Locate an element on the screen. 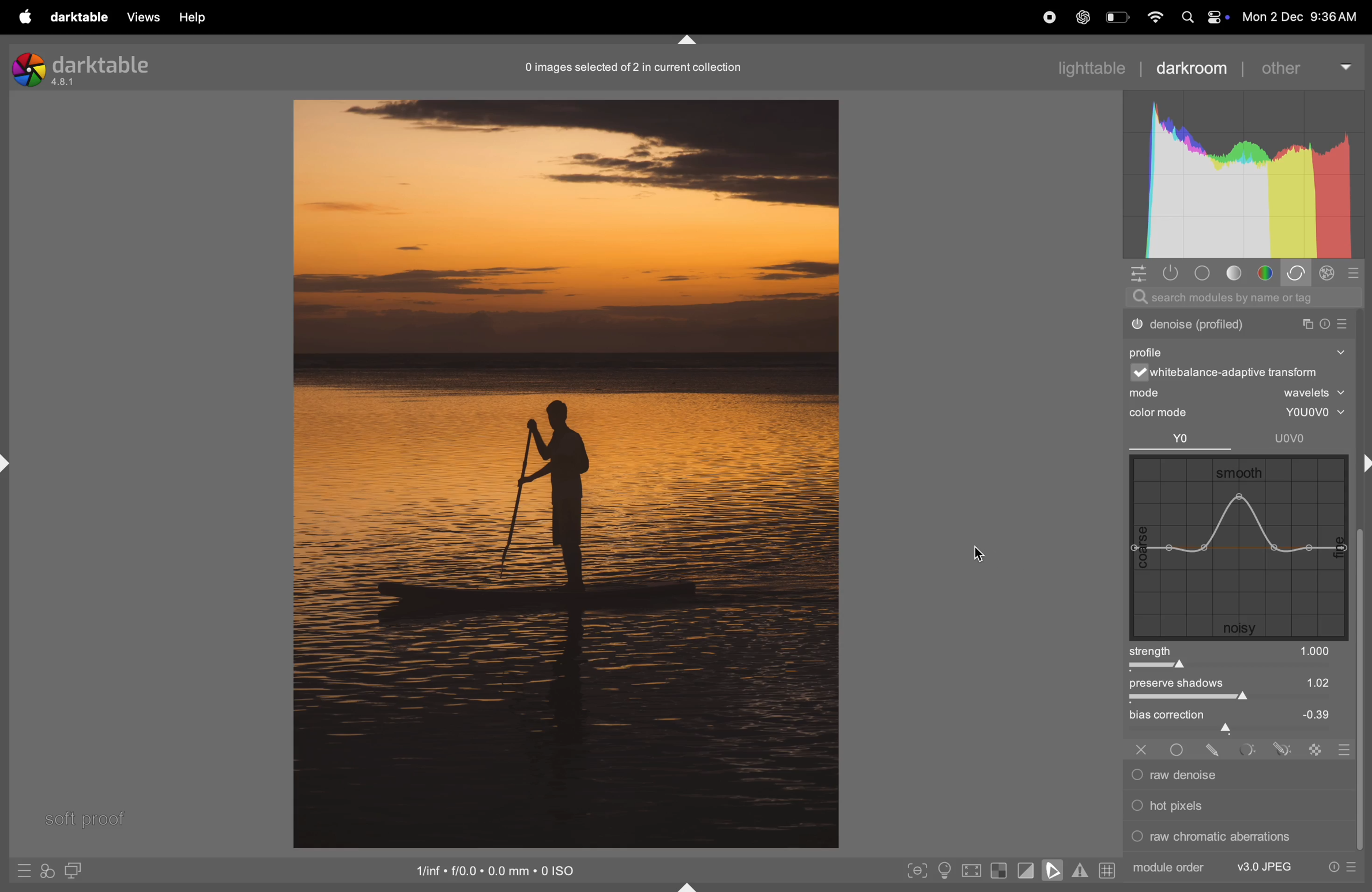 Image resolution: width=1372 pixels, height=892 pixels. 1000 is located at coordinates (1316, 651).